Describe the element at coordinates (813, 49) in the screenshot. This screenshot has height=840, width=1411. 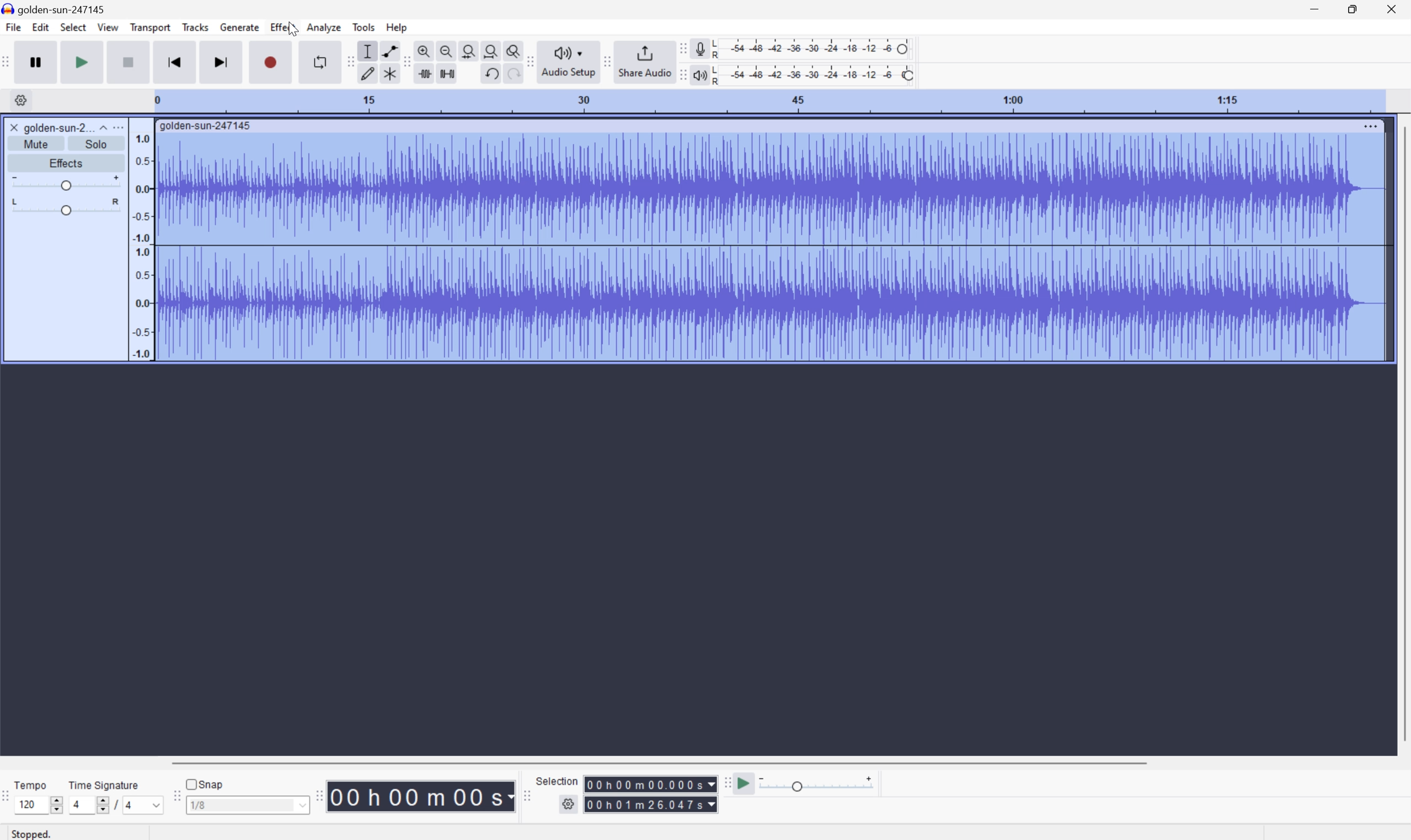
I see `Recording level: 62%` at that location.